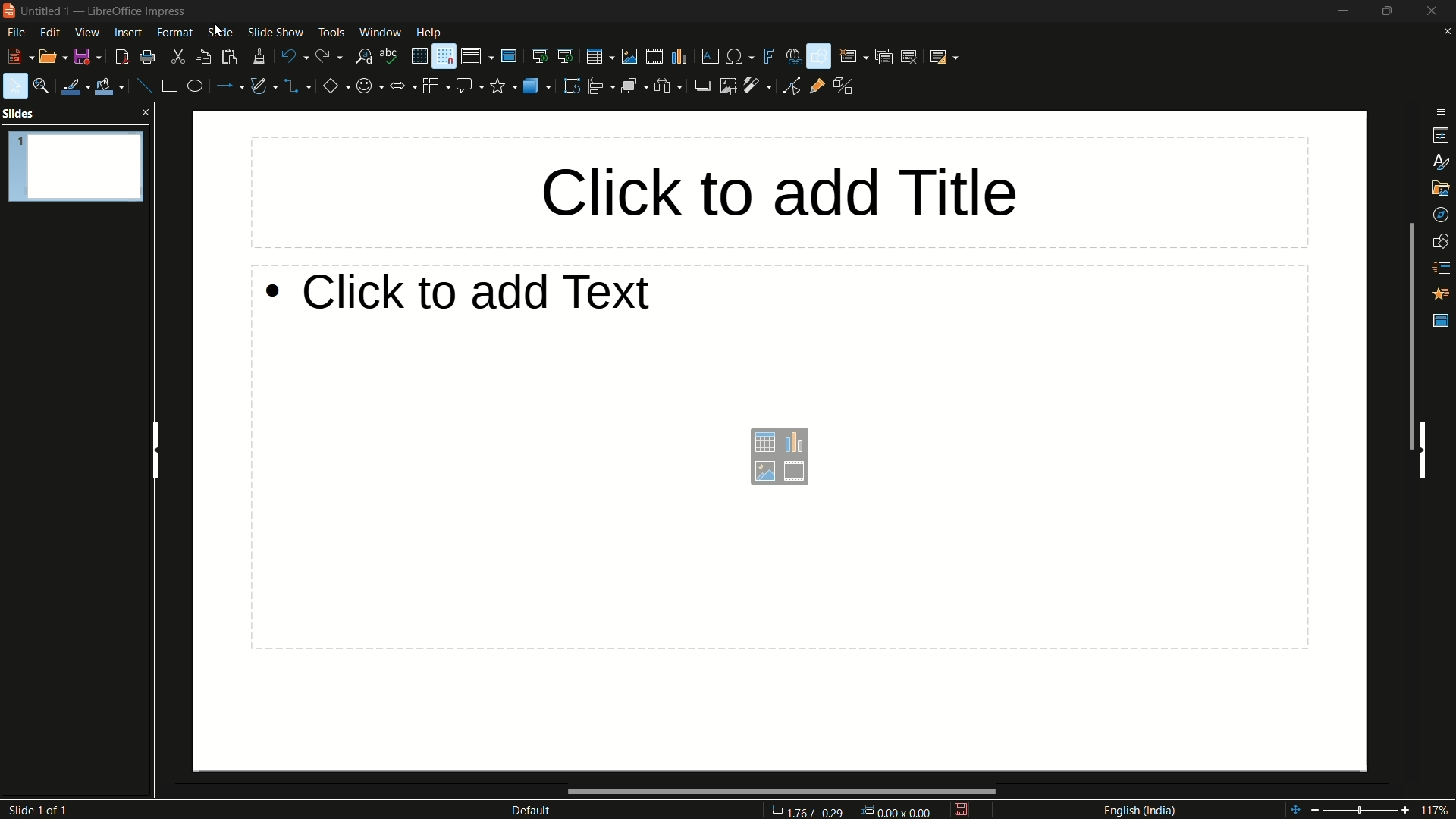  Describe the element at coordinates (792, 56) in the screenshot. I see `insert hyperlink` at that location.